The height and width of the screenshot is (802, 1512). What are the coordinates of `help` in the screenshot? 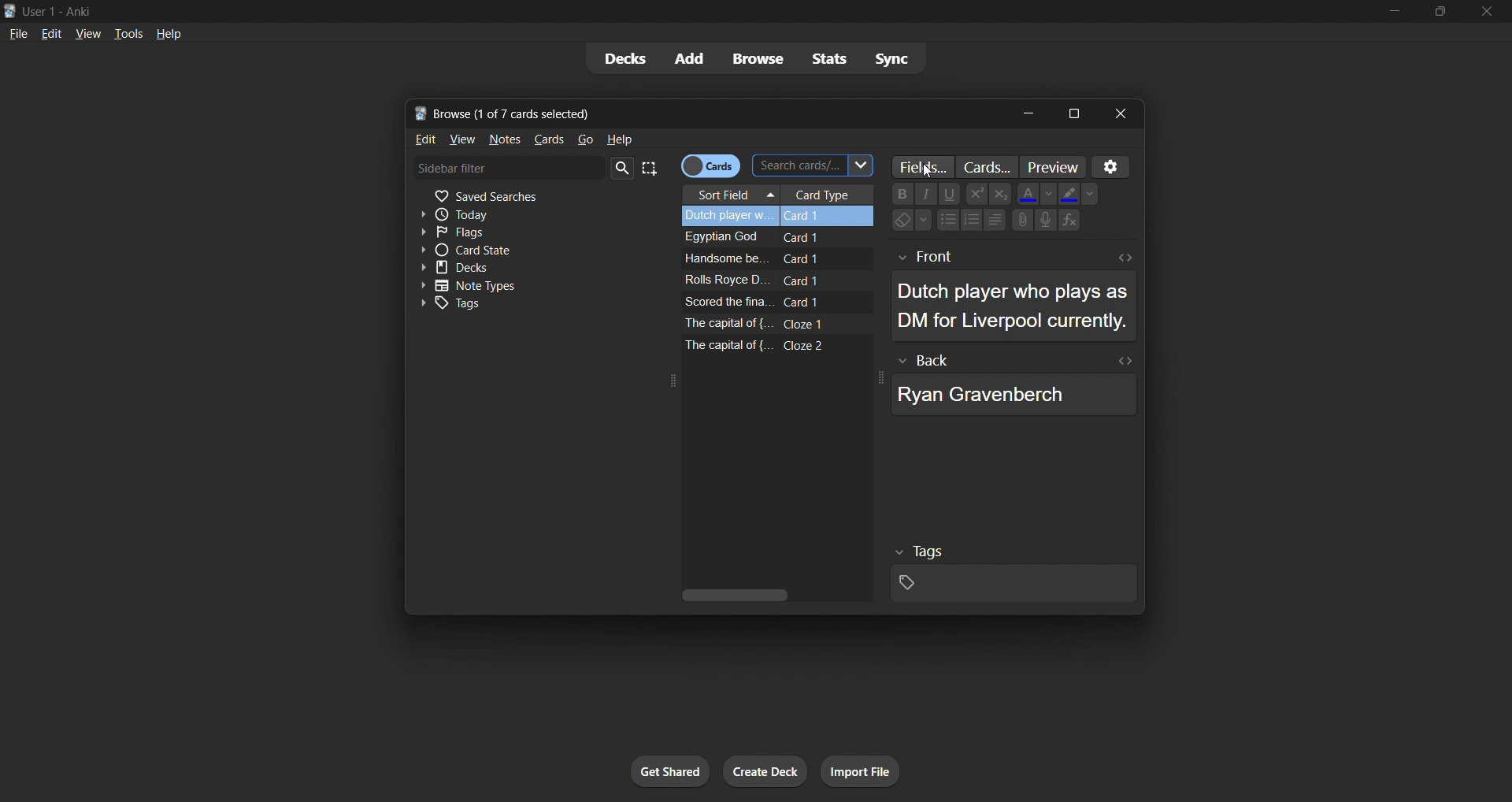 It's located at (624, 139).